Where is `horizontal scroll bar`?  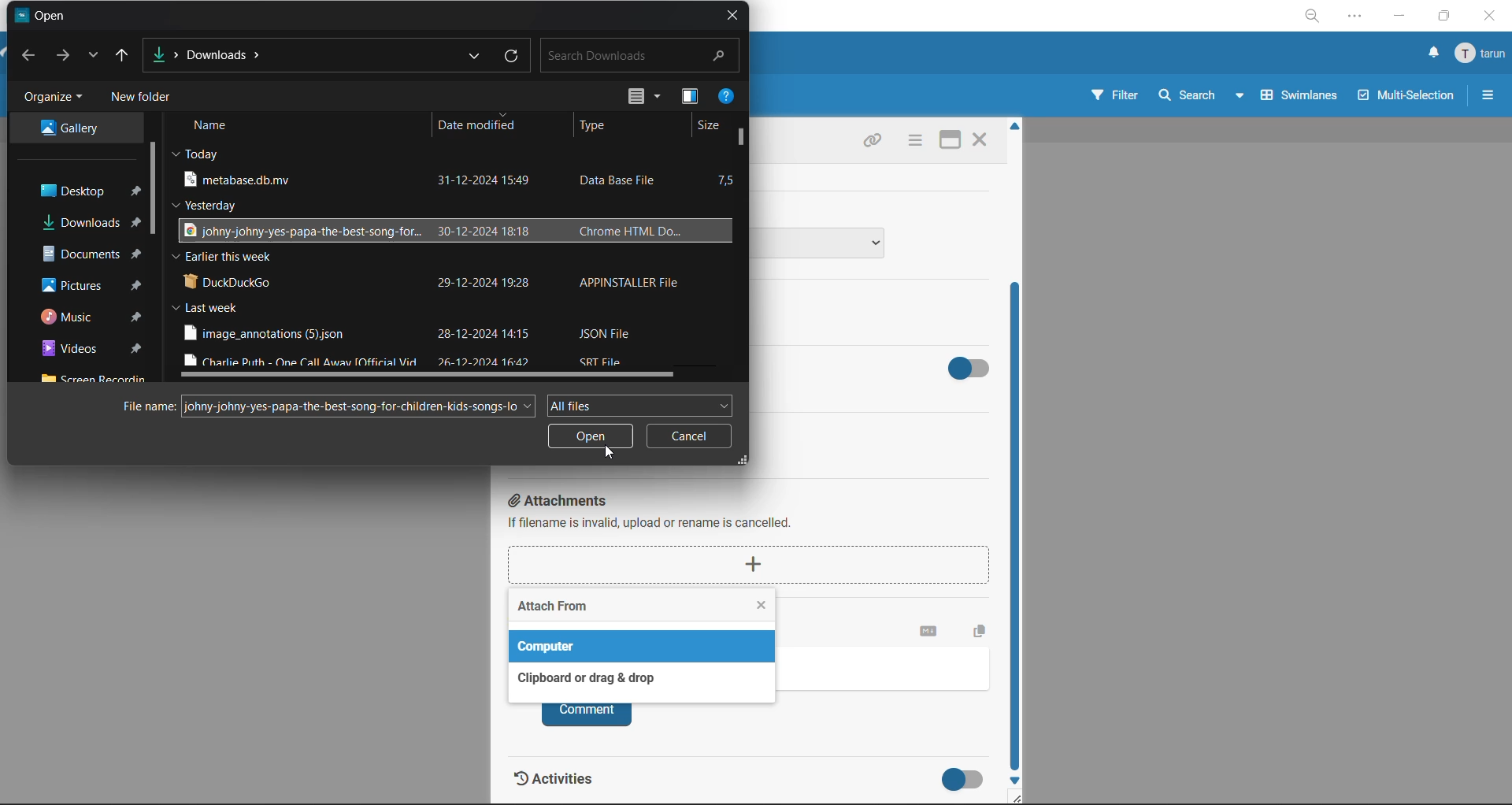 horizontal scroll bar is located at coordinates (439, 373).